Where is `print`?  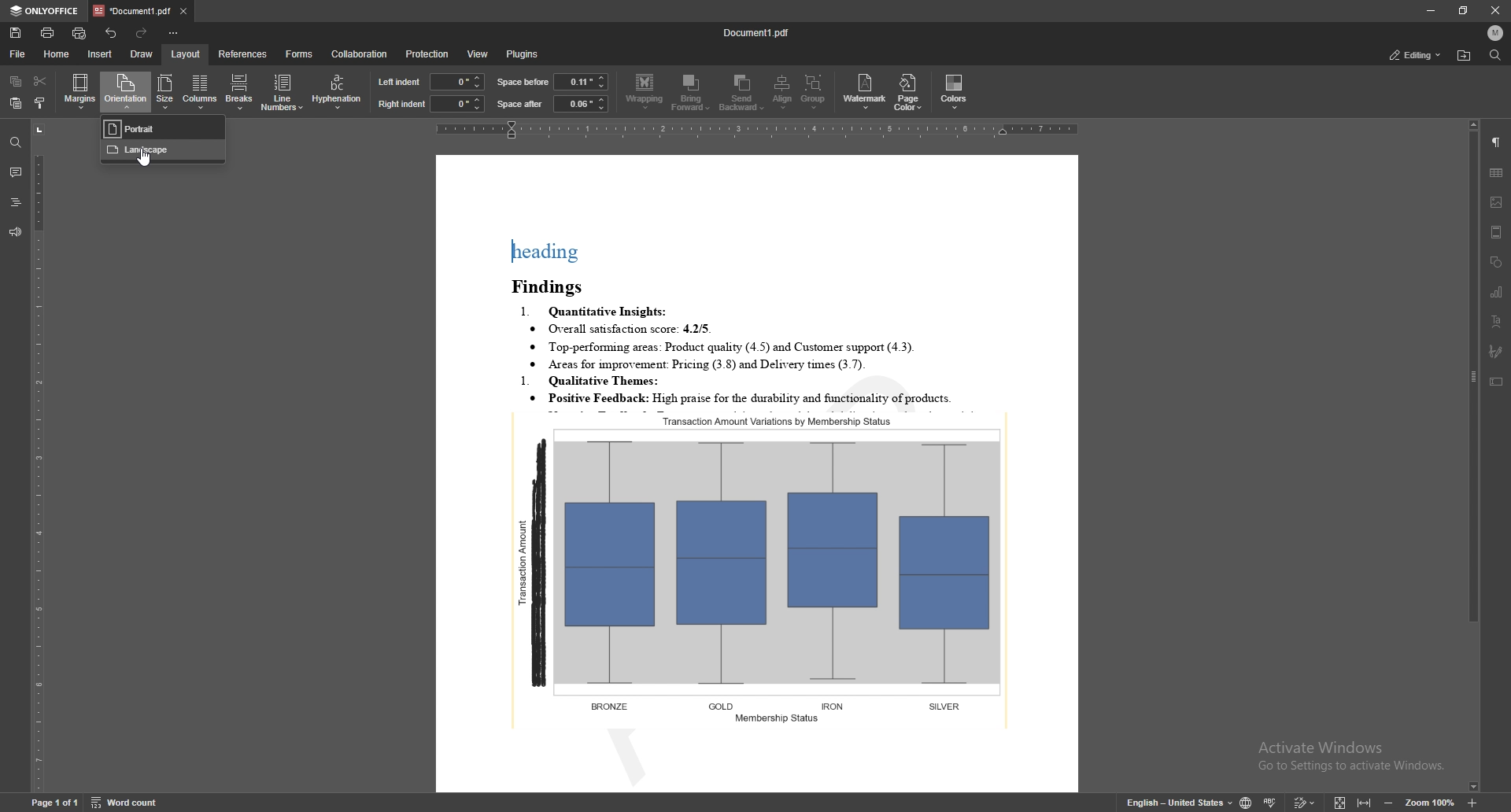
print is located at coordinates (49, 33).